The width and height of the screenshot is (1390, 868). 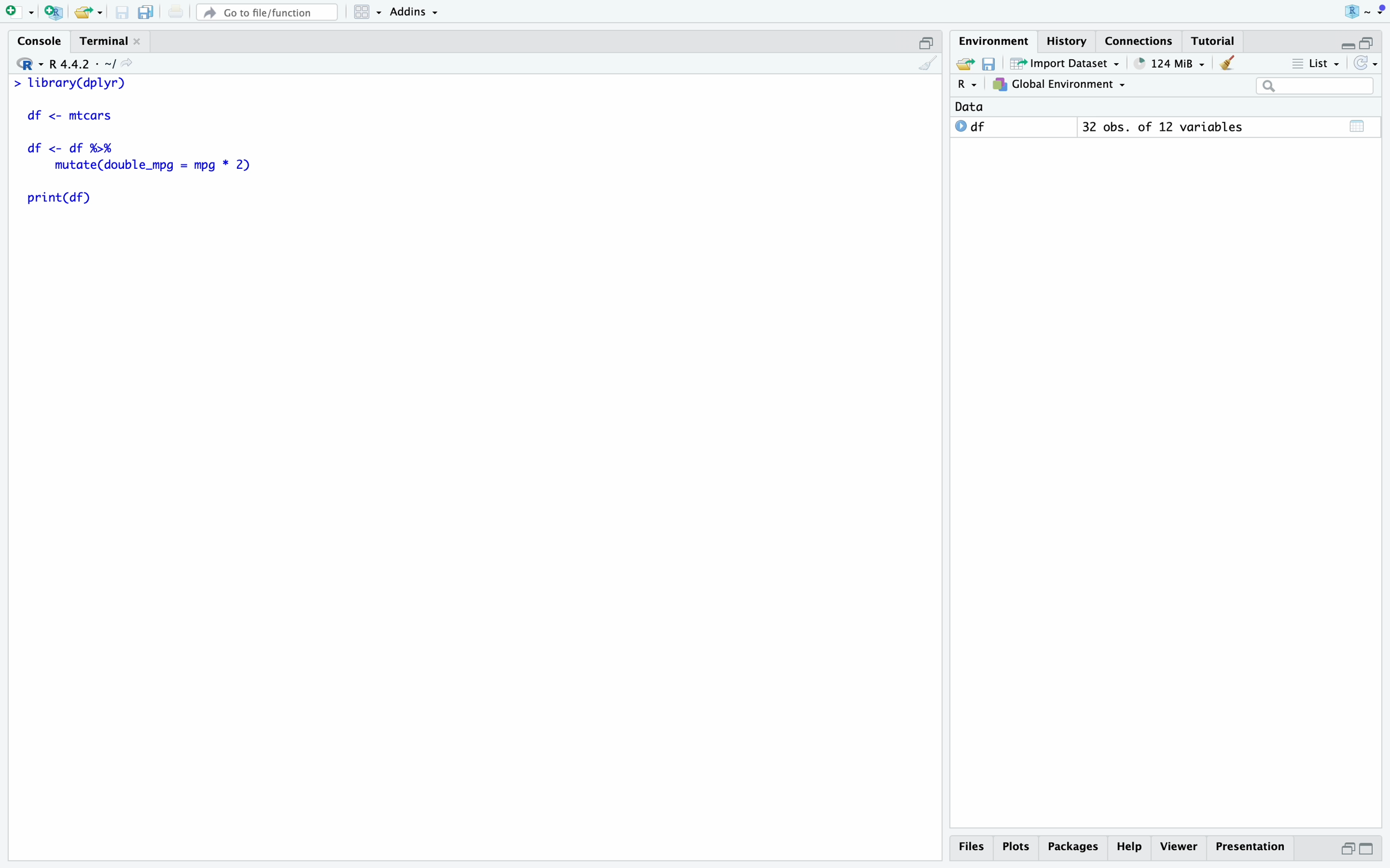 What do you see at coordinates (1059, 84) in the screenshot?
I see `global enviornment` at bounding box center [1059, 84].